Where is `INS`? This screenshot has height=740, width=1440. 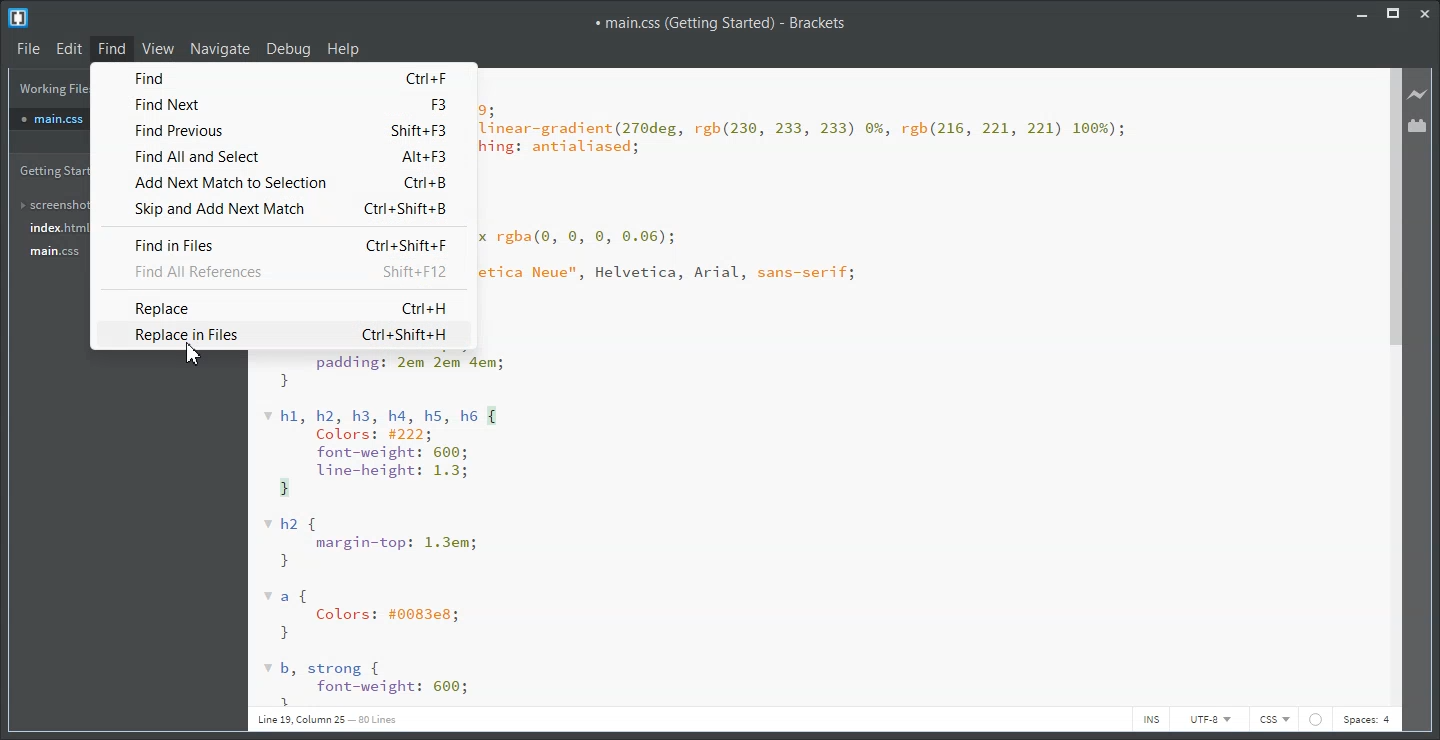 INS is located at coordinates (1150, 719).